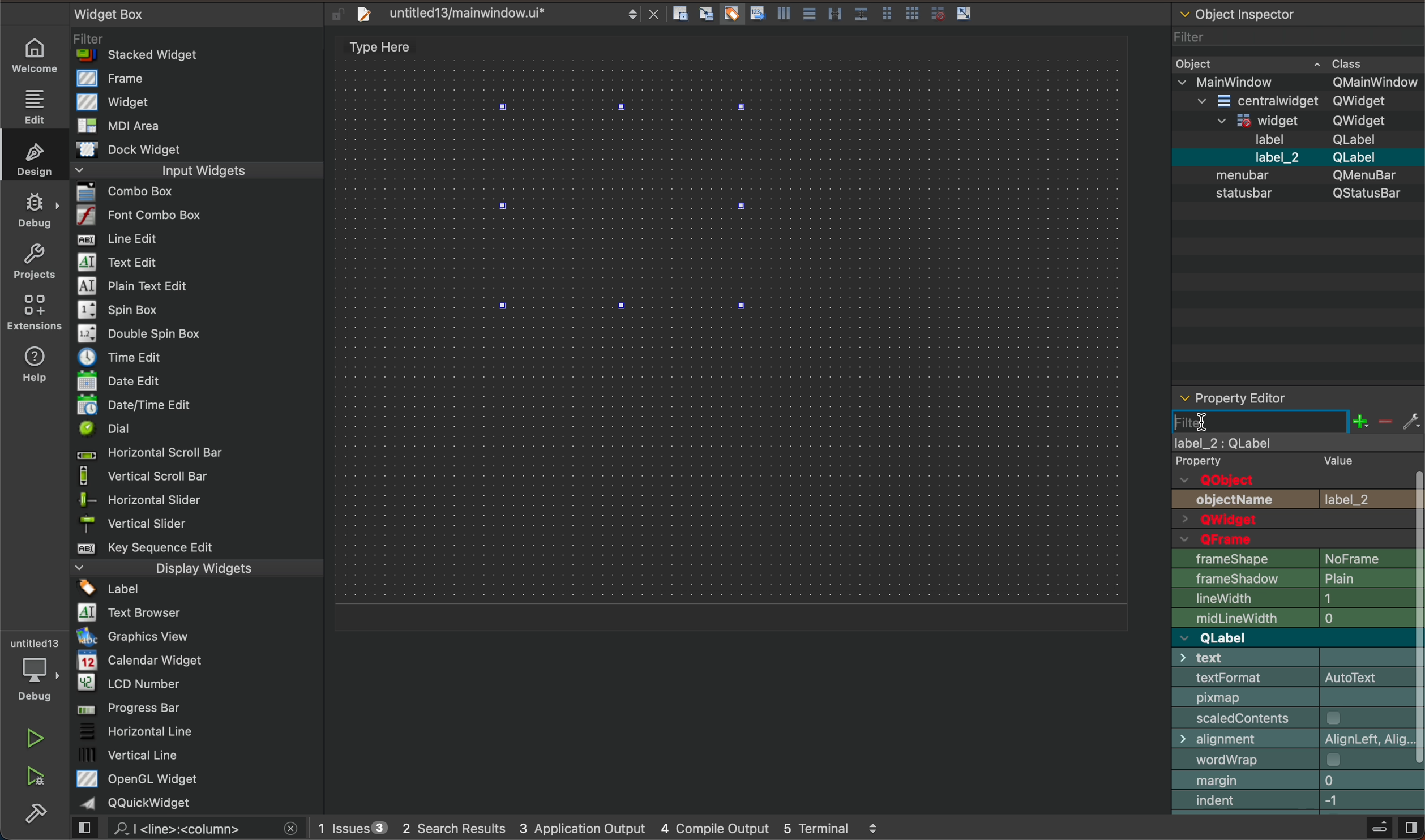  What do you see at coordinates (1298, 781) in the screenshot?
I see `margin` at bounding box center [1298, 781].